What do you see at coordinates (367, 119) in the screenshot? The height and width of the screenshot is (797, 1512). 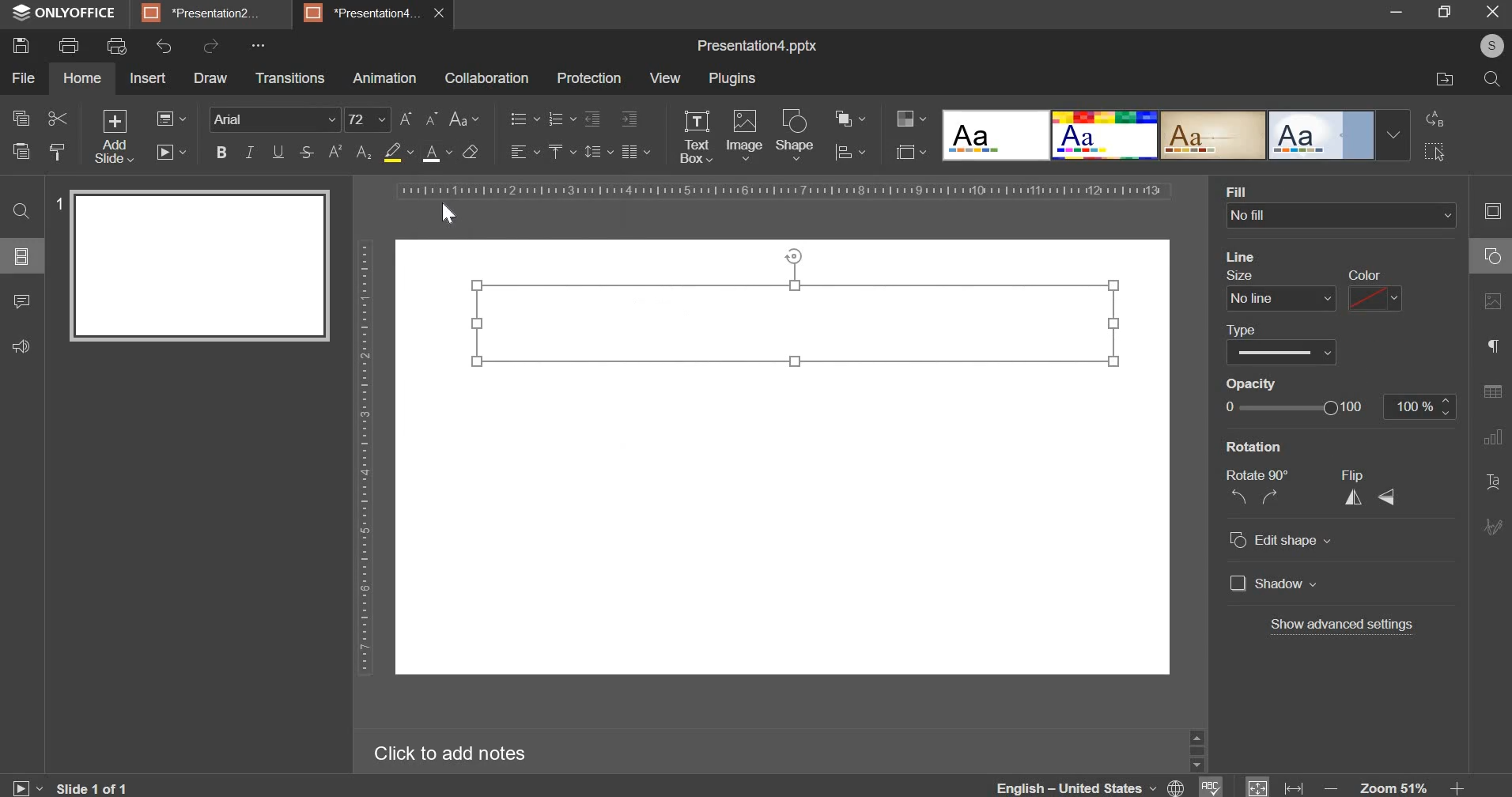 I see `font size` at bounding box center [367, 119].